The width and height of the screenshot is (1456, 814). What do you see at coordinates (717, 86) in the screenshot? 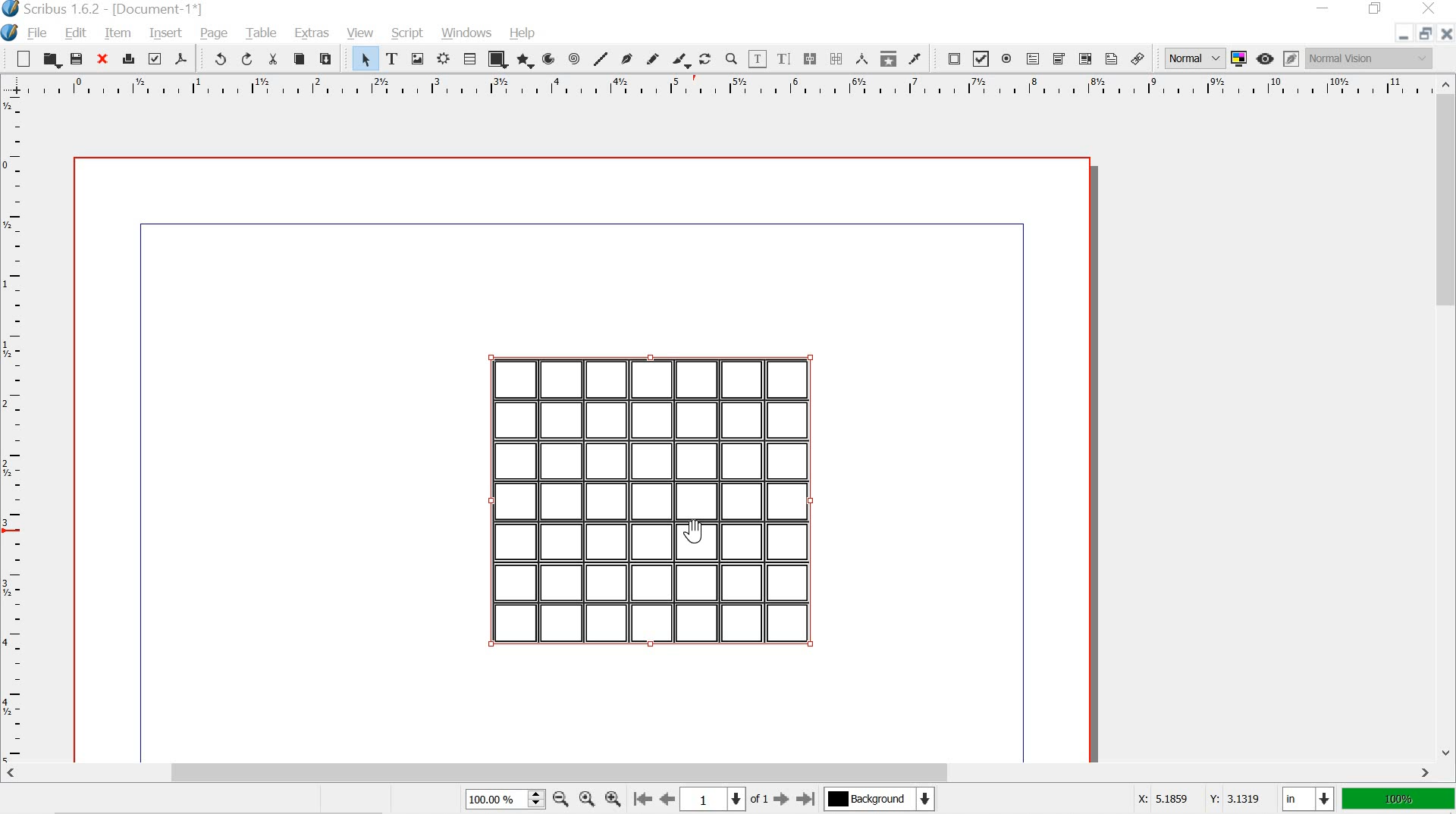
I see `ruler` at bounding box center [717, 86].